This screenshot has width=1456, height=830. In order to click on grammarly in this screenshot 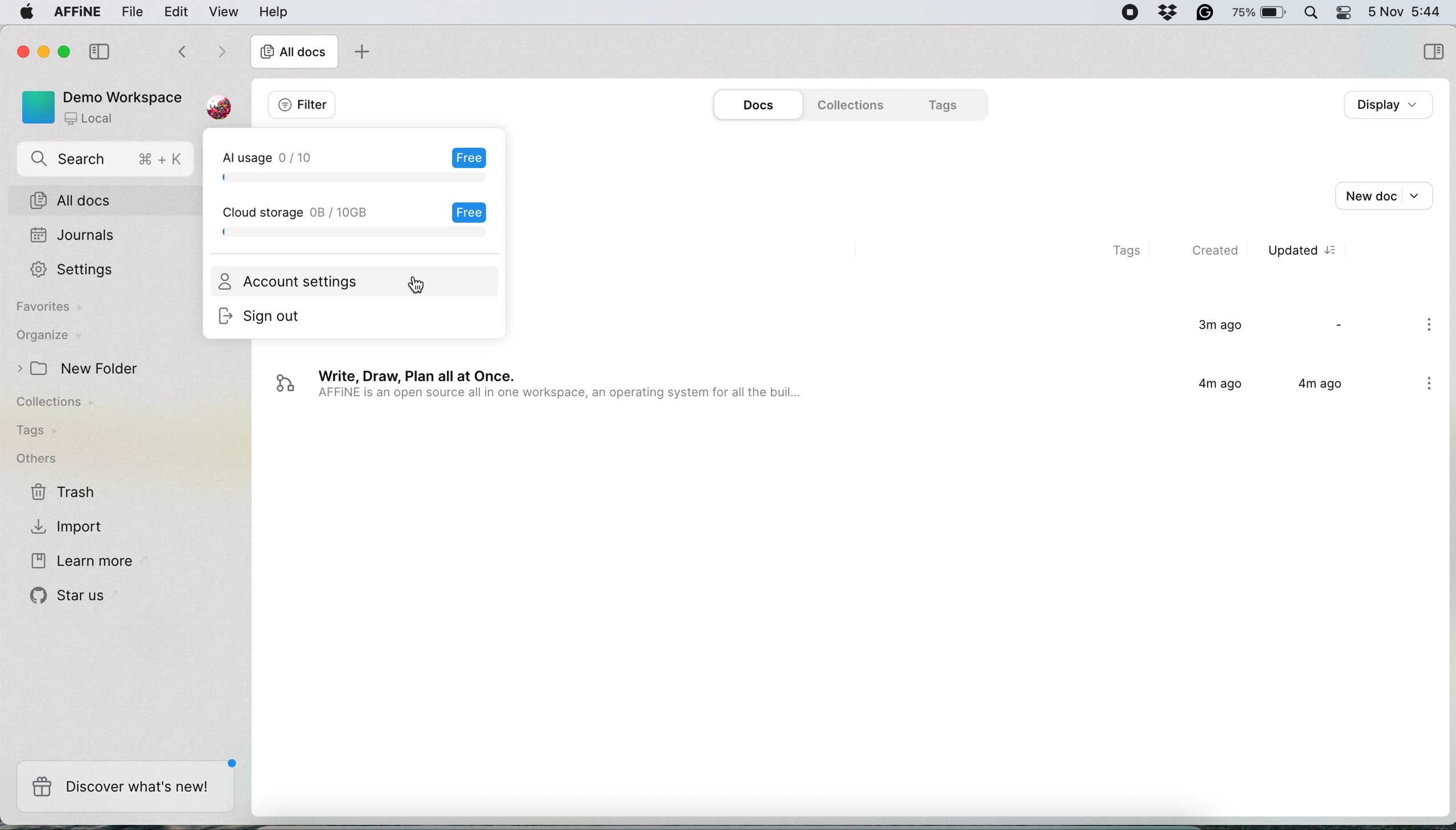, I will do `click(1204, 11)`.